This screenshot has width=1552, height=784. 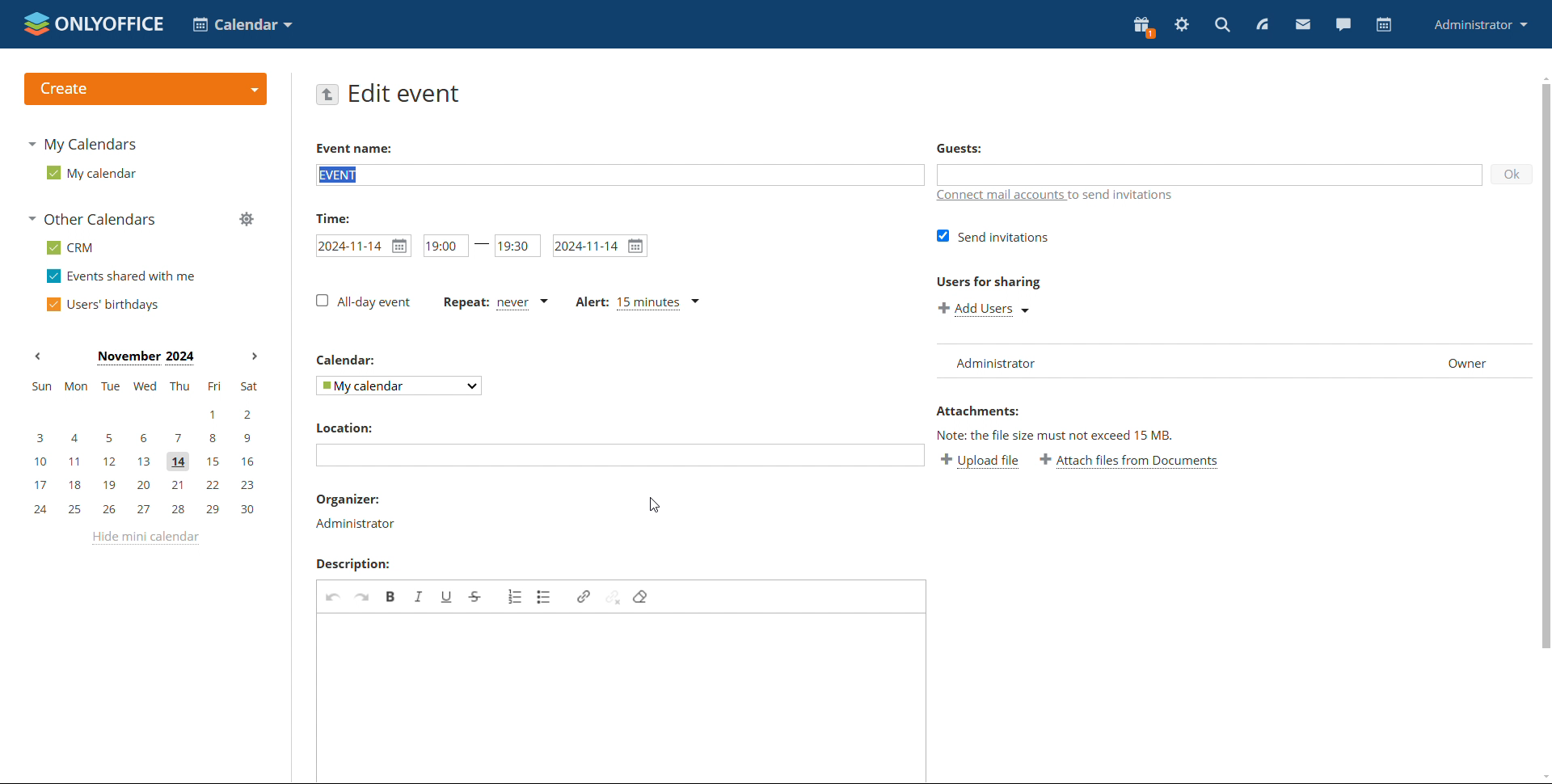 I want to click on remove format, so click(x=643, y=596).